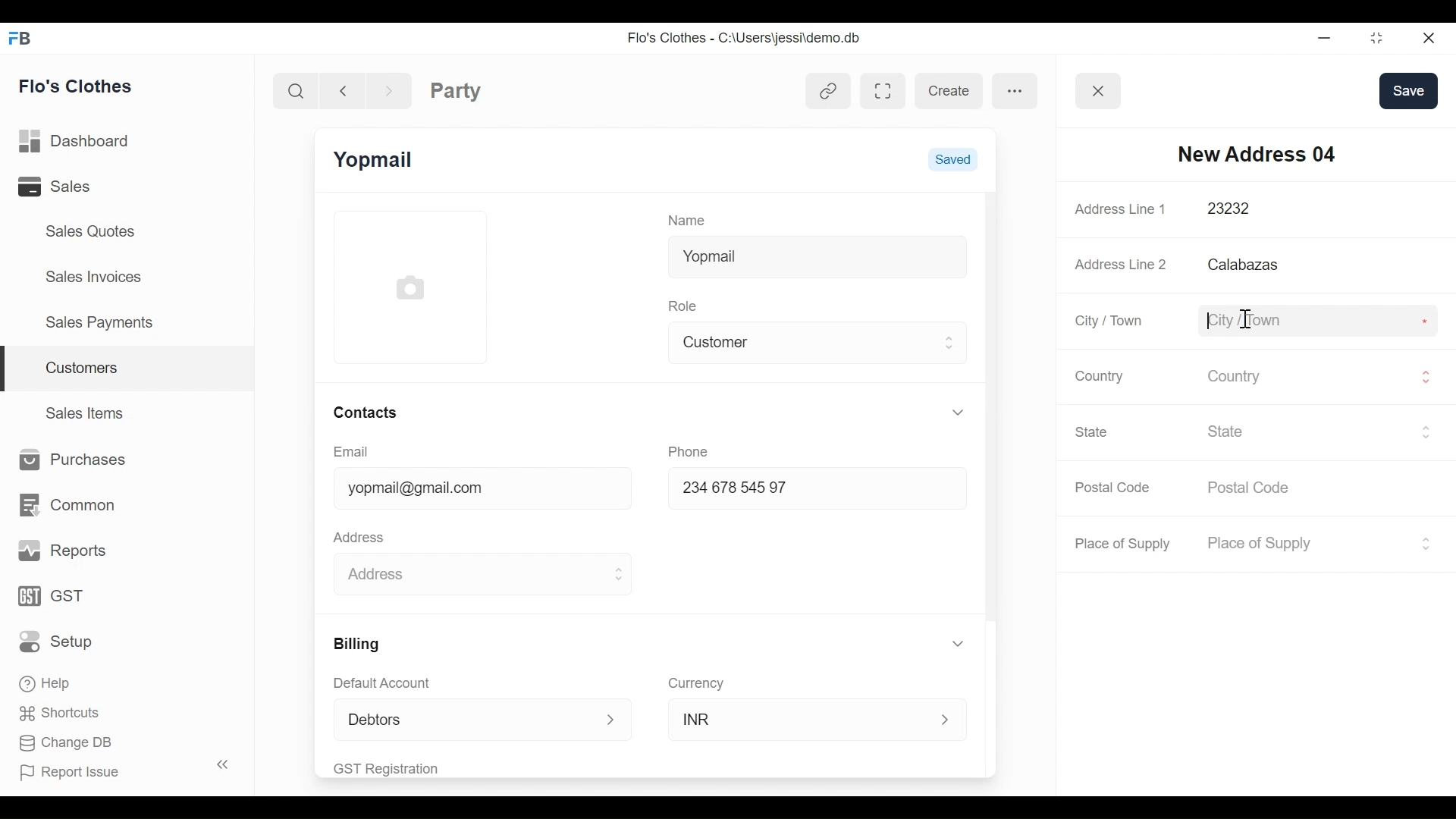 The image size is (1456, 819). What do you see at coordinates (746, 39) in the screenshot?
I see `Flo's Clothes - C:\Users\jessi\demo.db` at bounding box center [746, 39].